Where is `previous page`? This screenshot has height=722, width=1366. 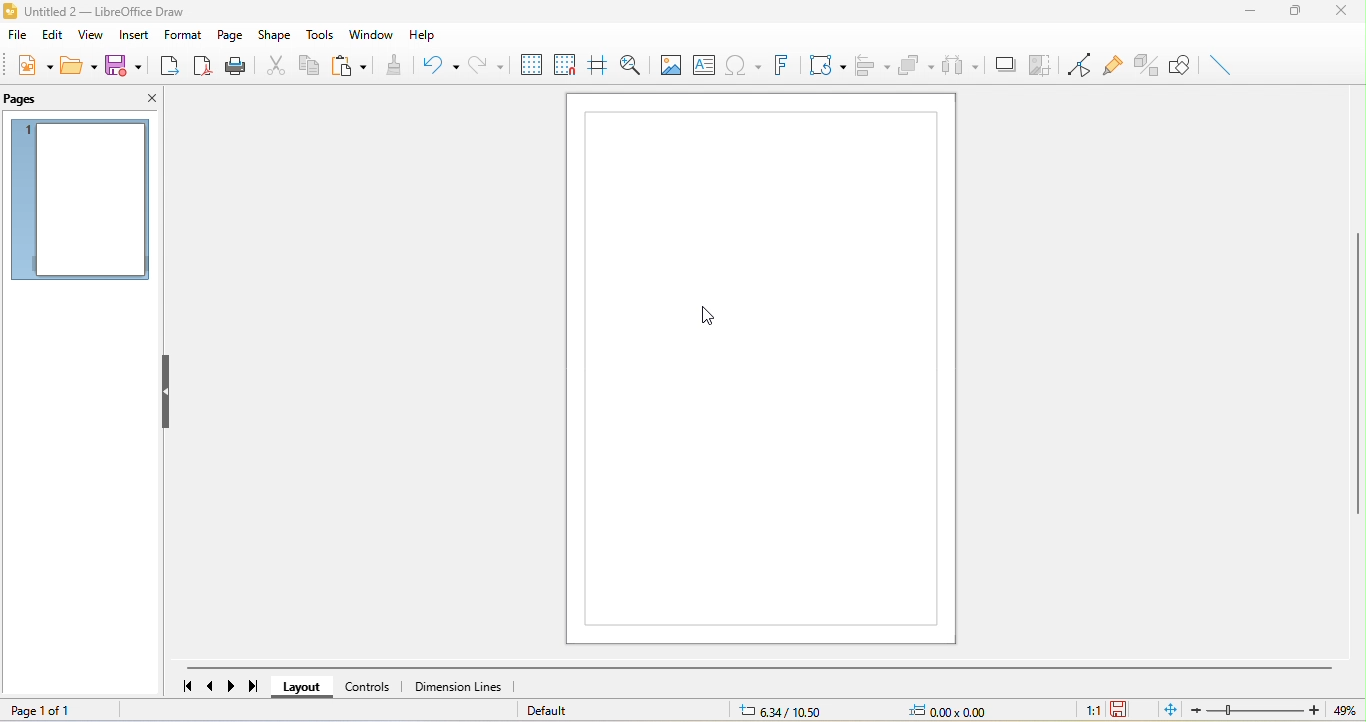
previous page is located at coordinates (212, 688).